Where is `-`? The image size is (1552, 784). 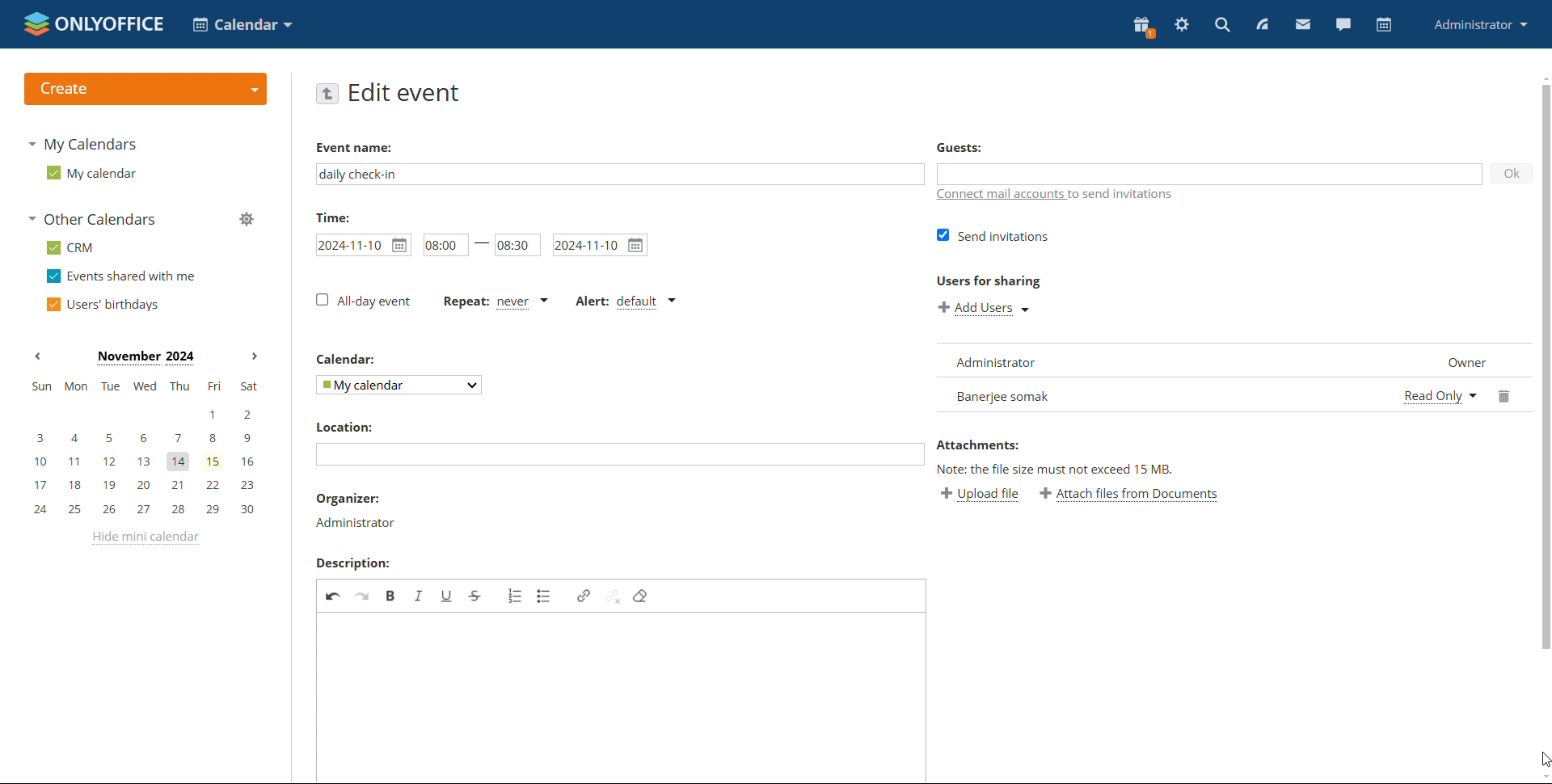 - is located at coordinates (479, 242).